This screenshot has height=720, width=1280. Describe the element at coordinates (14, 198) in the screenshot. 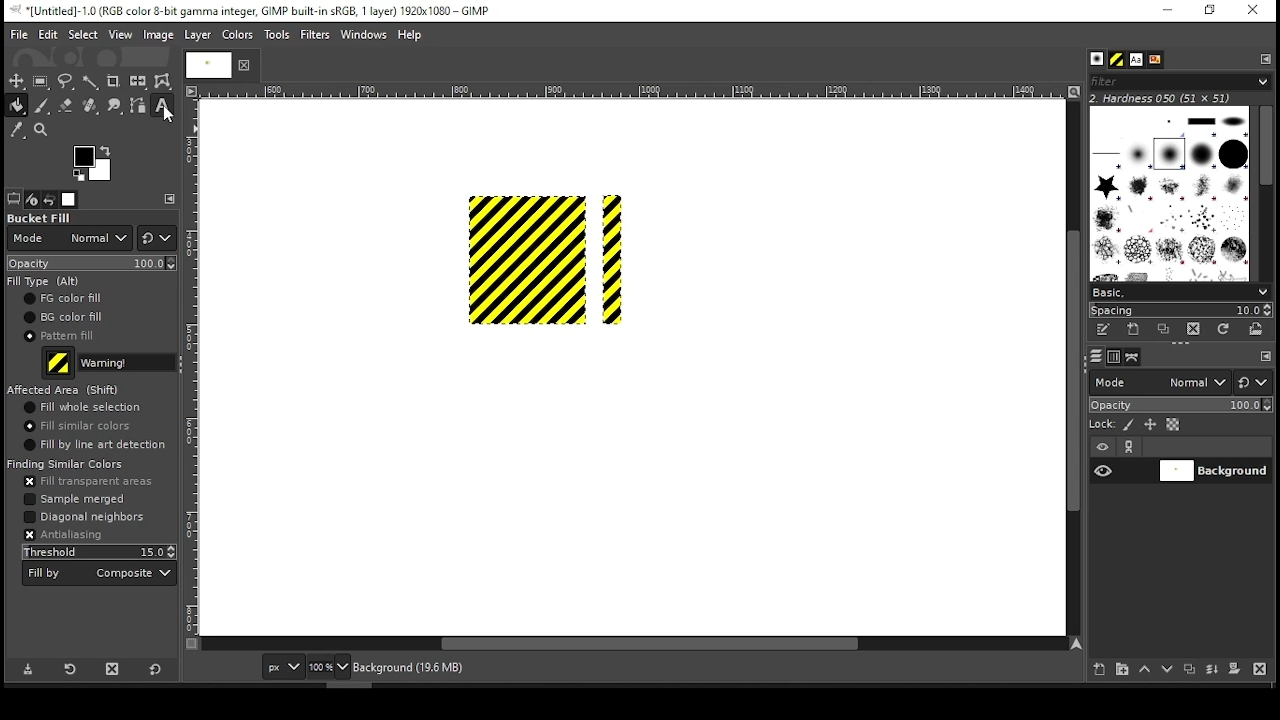

I see `tool options` at that location.